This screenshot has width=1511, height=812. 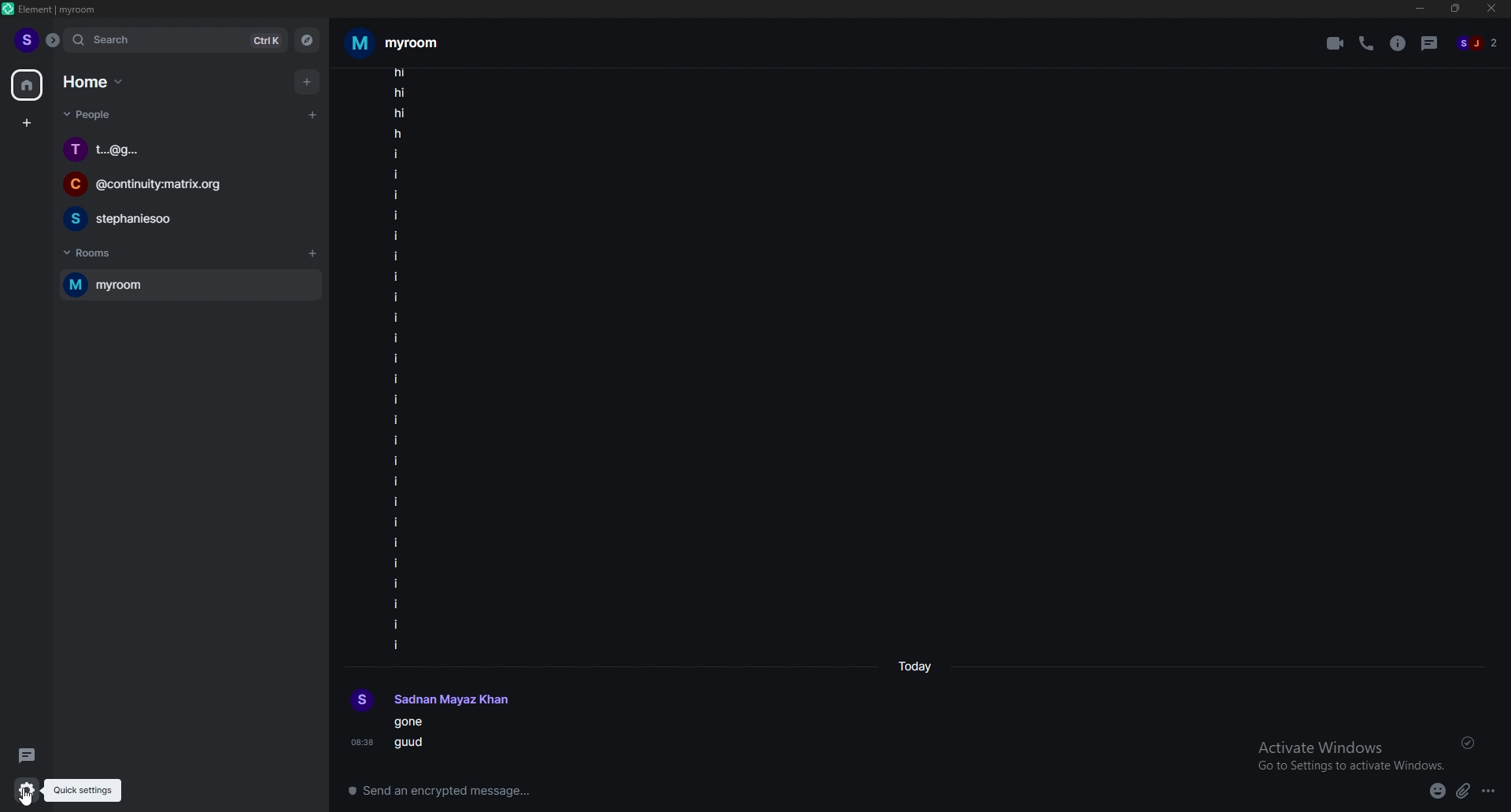 I want to click on expand, so click(x=54, y=40).